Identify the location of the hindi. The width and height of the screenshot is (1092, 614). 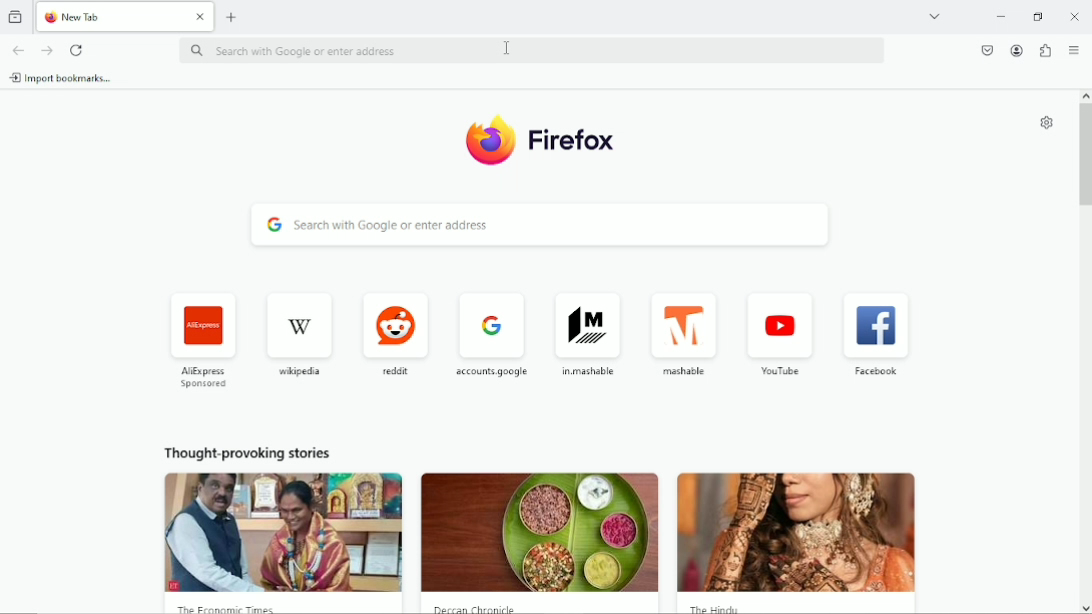
(716, 610).